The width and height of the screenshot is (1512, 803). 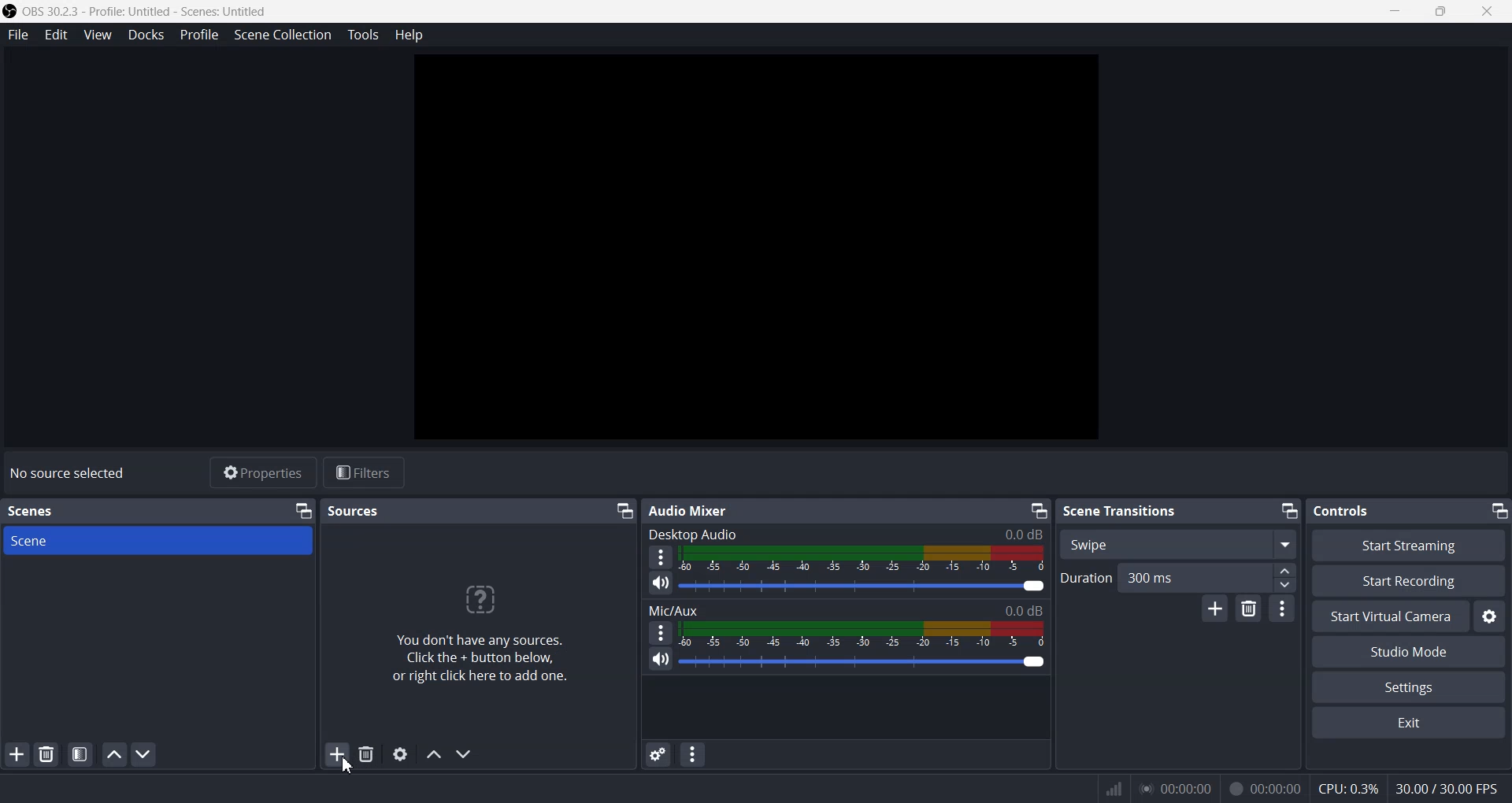 I want to click on 30.00 / 30.00 FPS, so click(x=1447, y=787).